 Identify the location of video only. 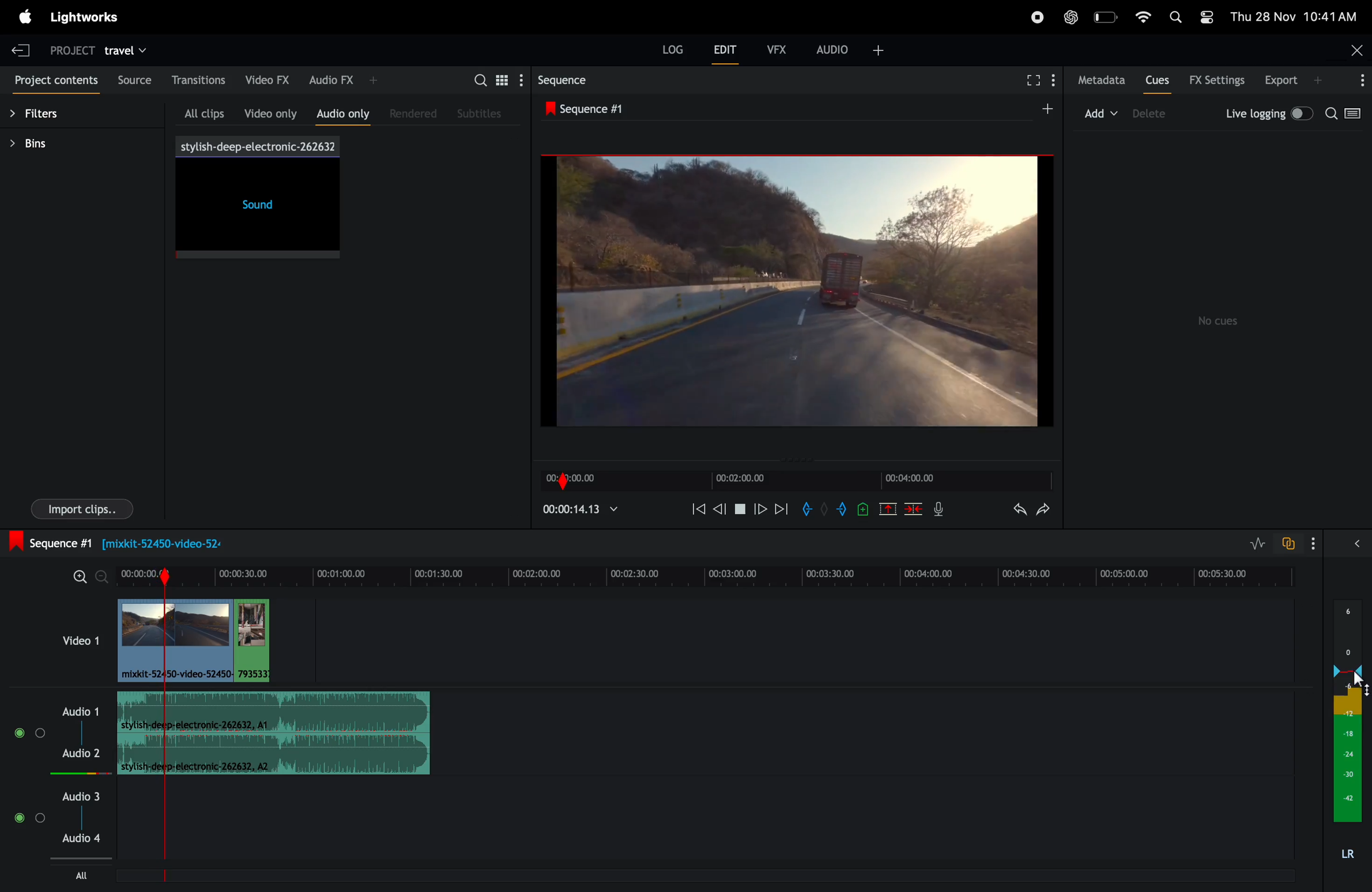
(266, 111).